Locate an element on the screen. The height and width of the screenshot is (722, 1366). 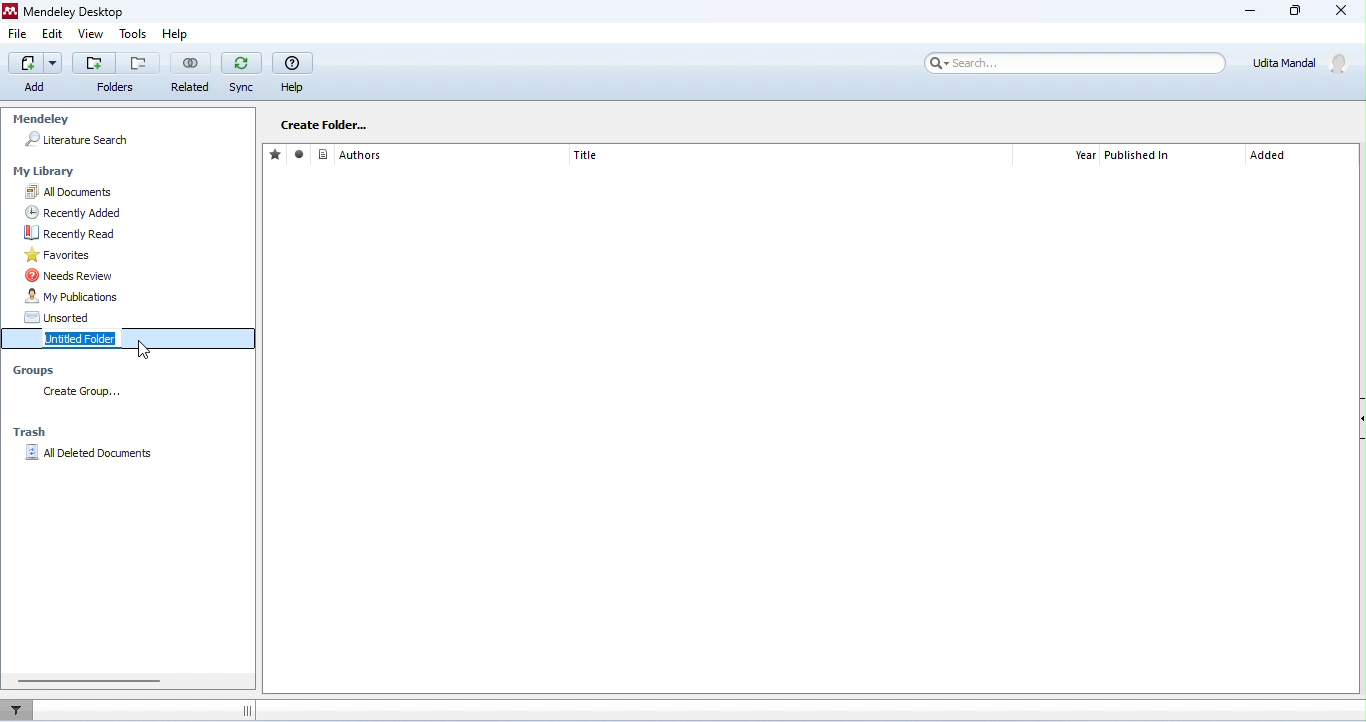
my library is located at coordinates (47, 172).